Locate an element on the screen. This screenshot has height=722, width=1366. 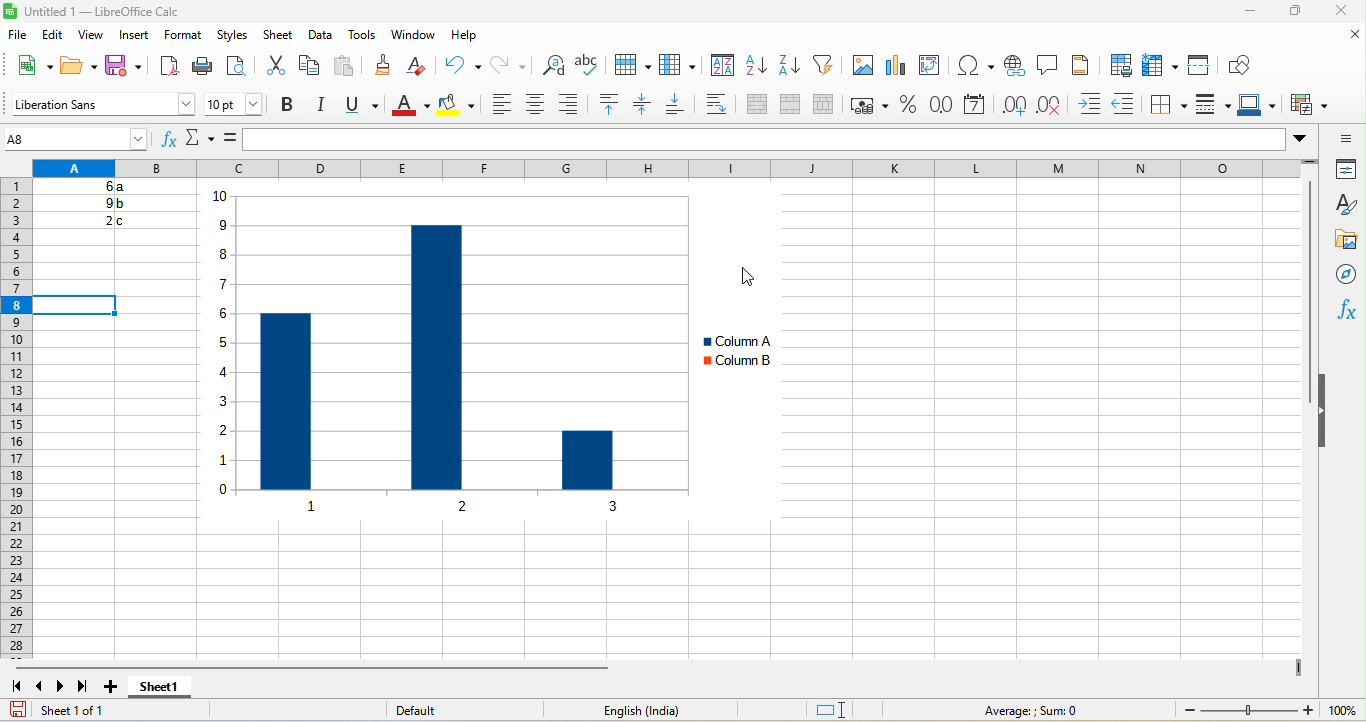
minimize is located at coordinates (1249, 12).